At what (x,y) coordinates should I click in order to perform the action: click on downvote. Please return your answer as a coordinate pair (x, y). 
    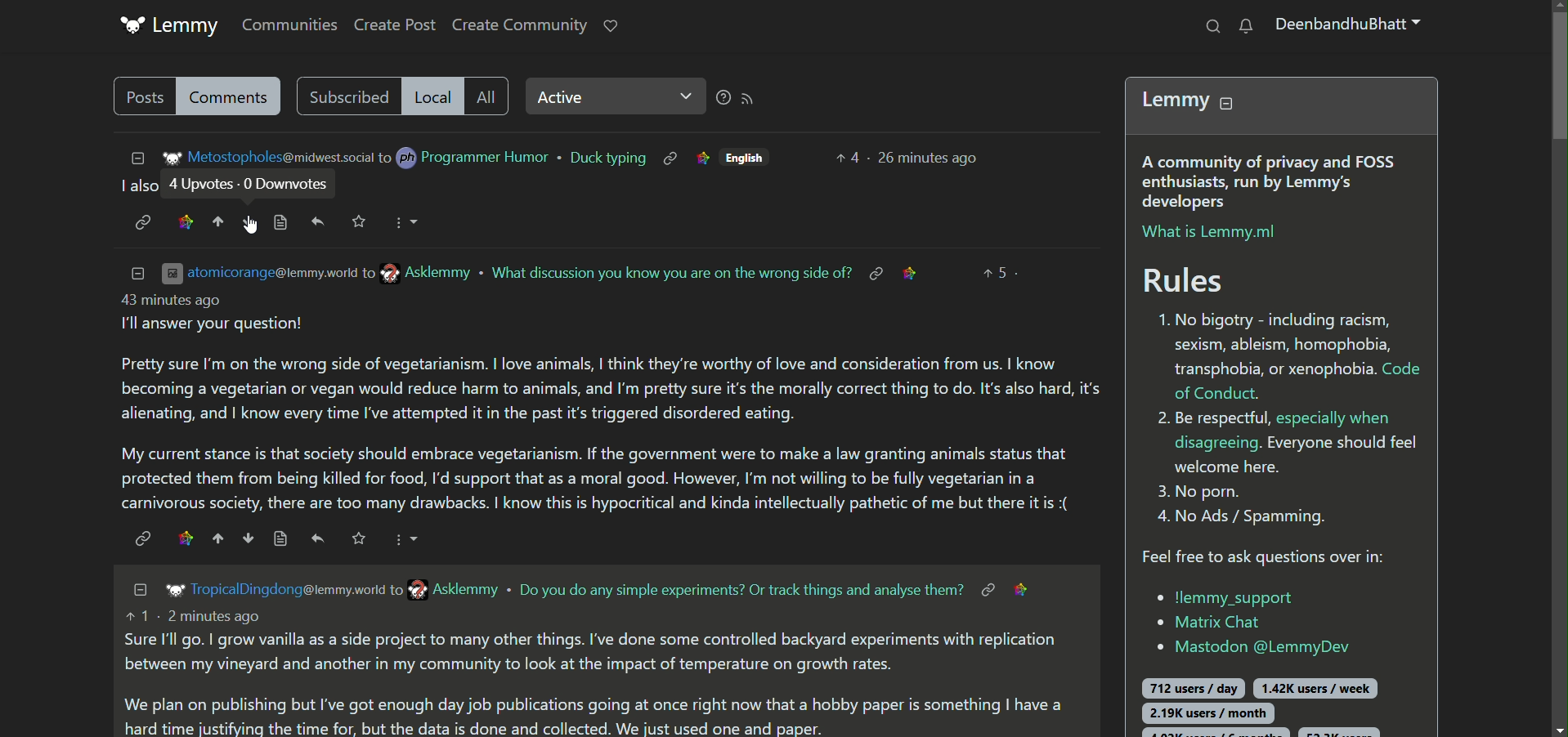
    Looking at the image, I should click on (245, 538).